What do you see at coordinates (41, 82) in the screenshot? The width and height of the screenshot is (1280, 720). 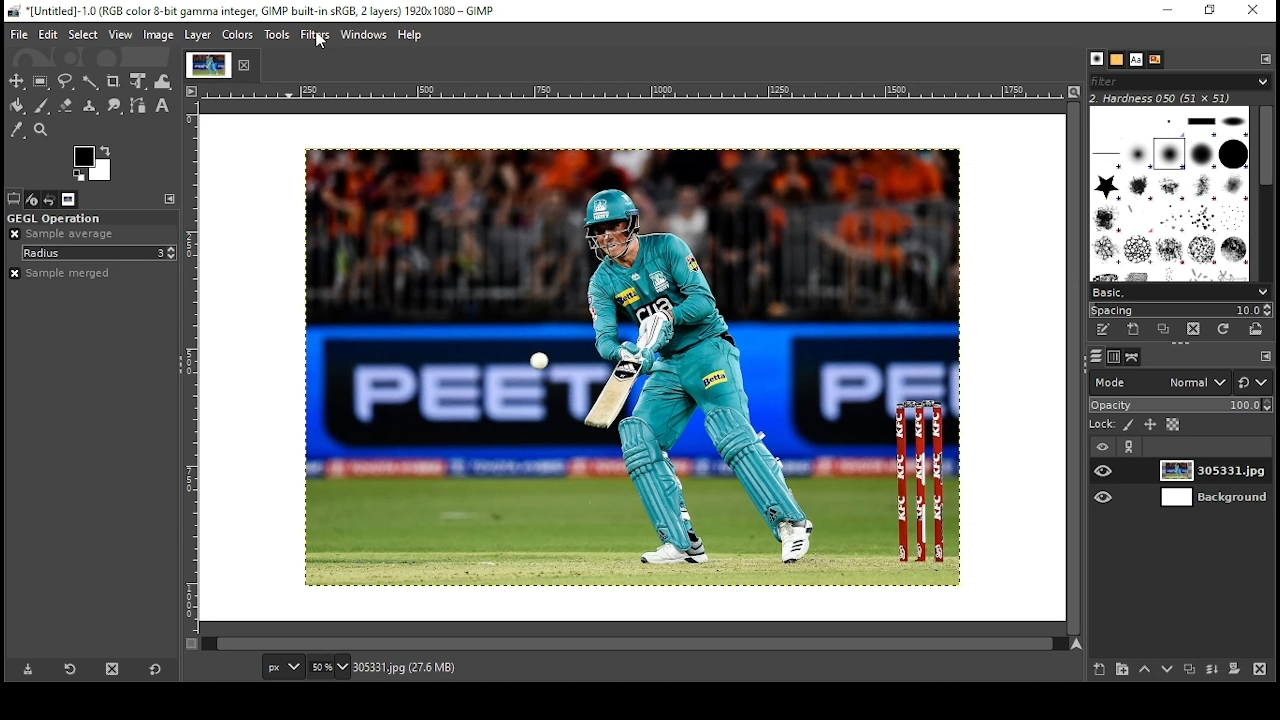 I see `rectangular selection tool` at bounding box center [41, 82].